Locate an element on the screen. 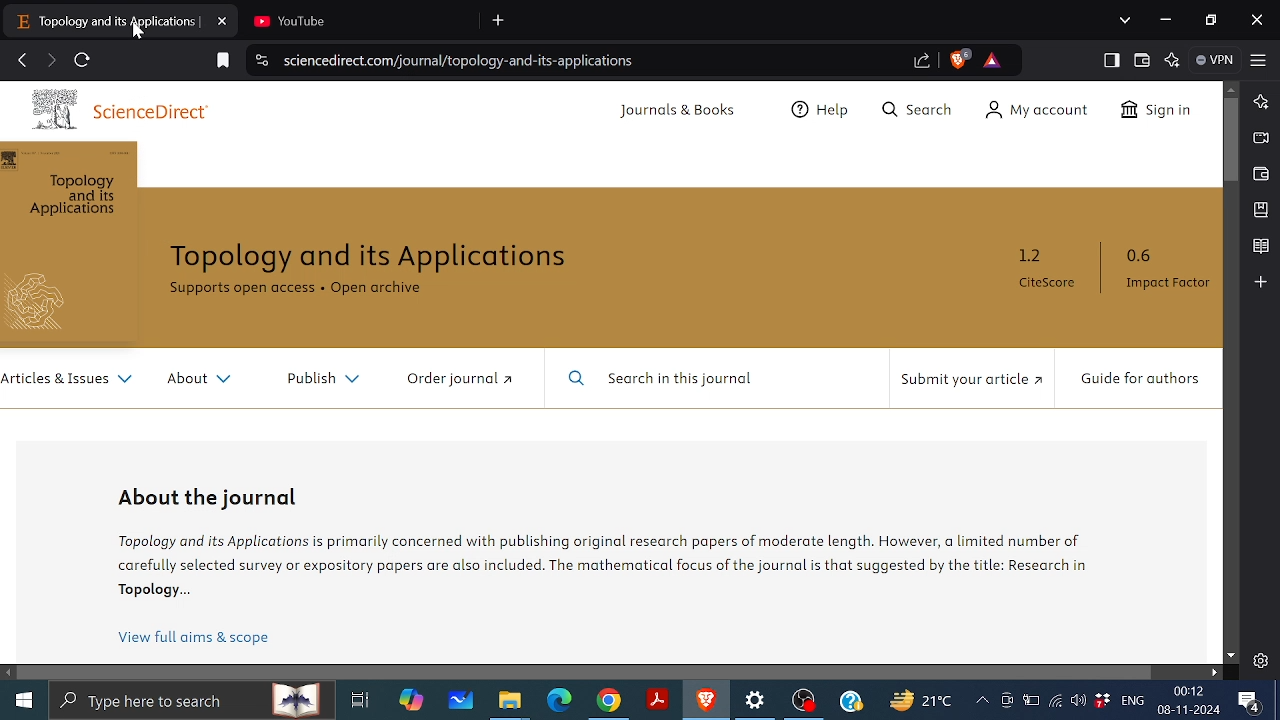 The width and height of the screenshot is (1280, 720). Weather is located at coordinates (919, 699).